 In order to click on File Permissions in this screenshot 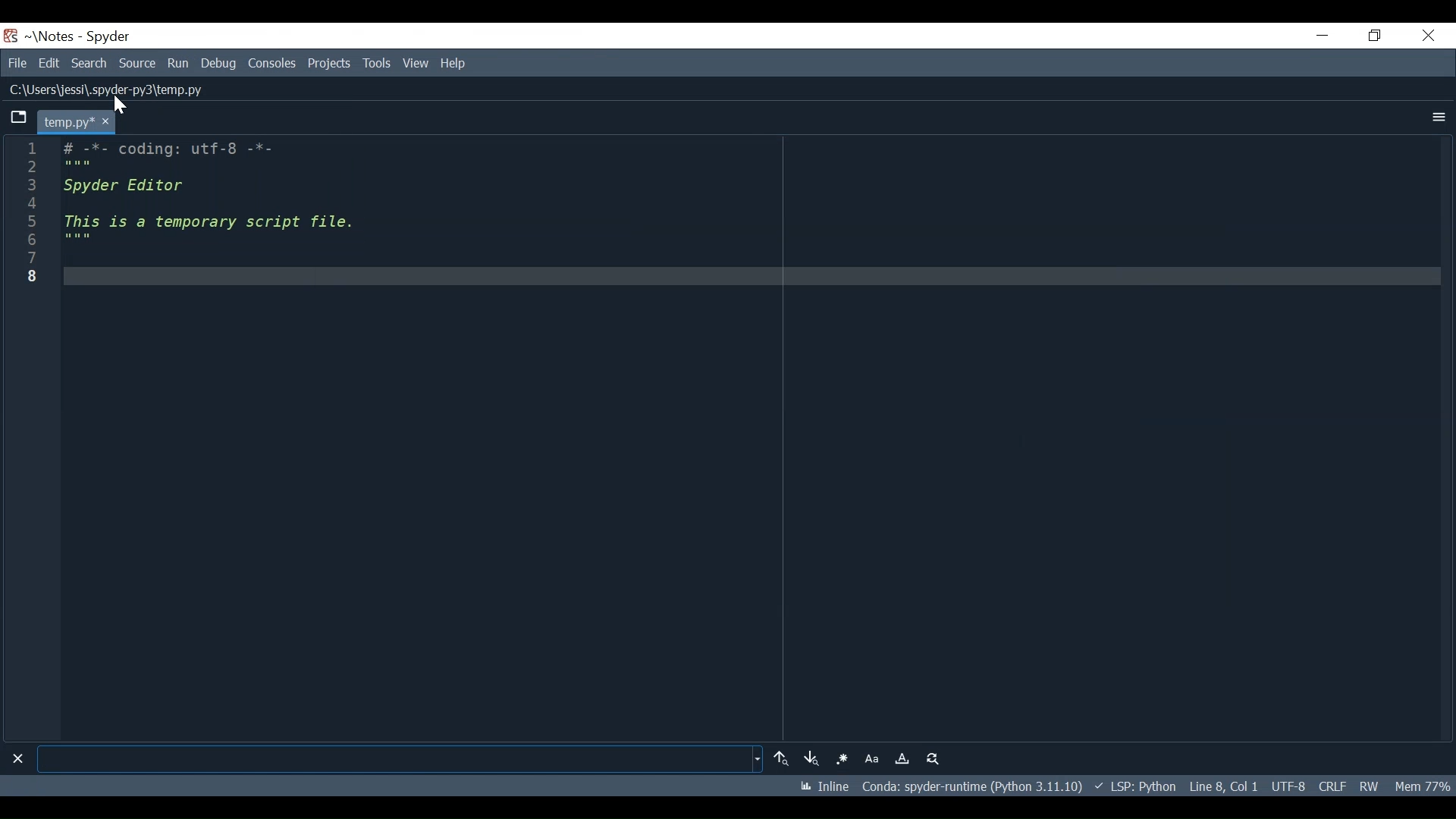, I will do `click(1374, 784)`.